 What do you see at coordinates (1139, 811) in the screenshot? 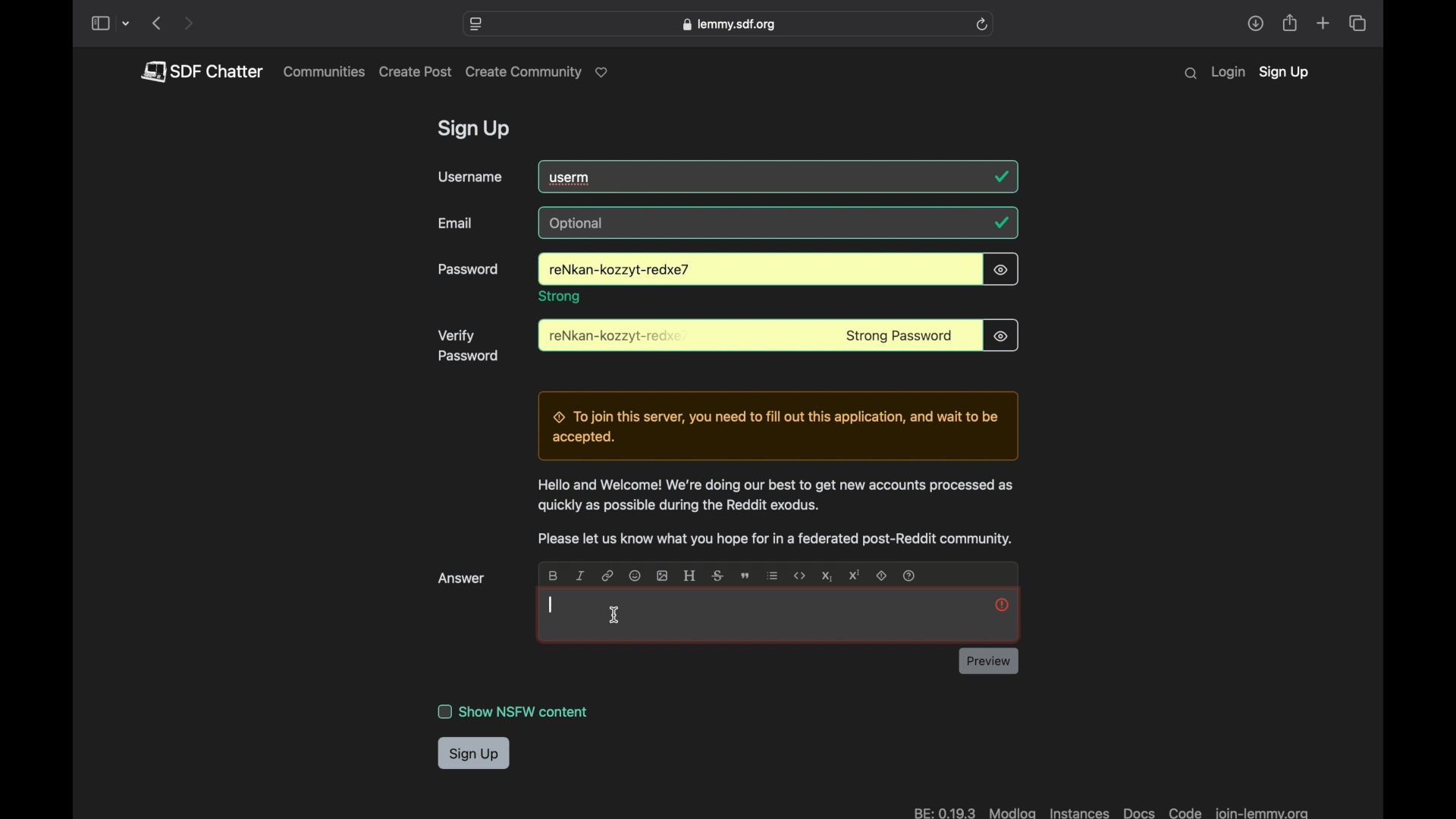
I see `docs` at bounding box center [1139, 811].